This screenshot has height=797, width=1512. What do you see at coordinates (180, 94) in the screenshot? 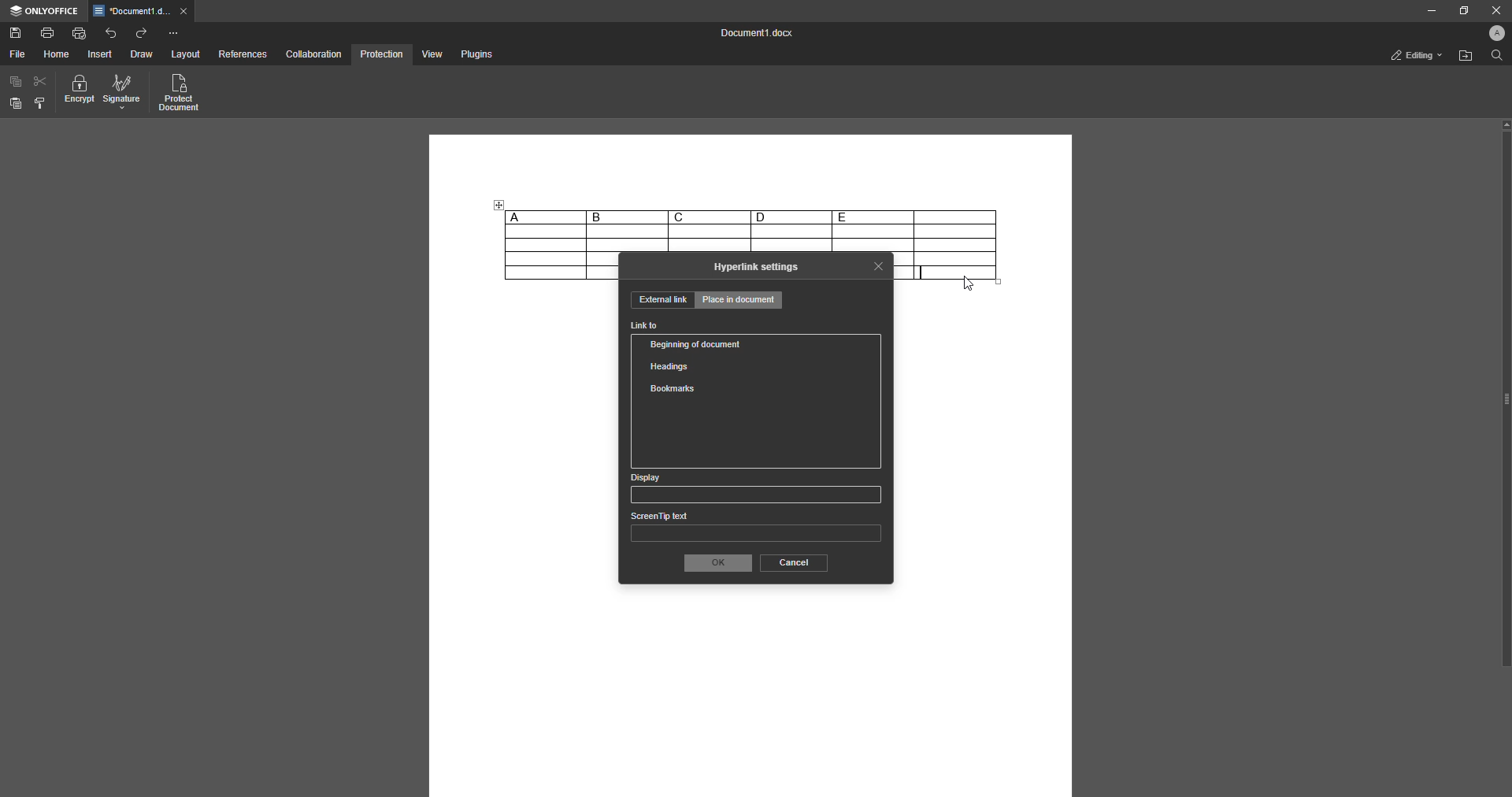
I see `Protected Document` at bounding box center [180, 94].